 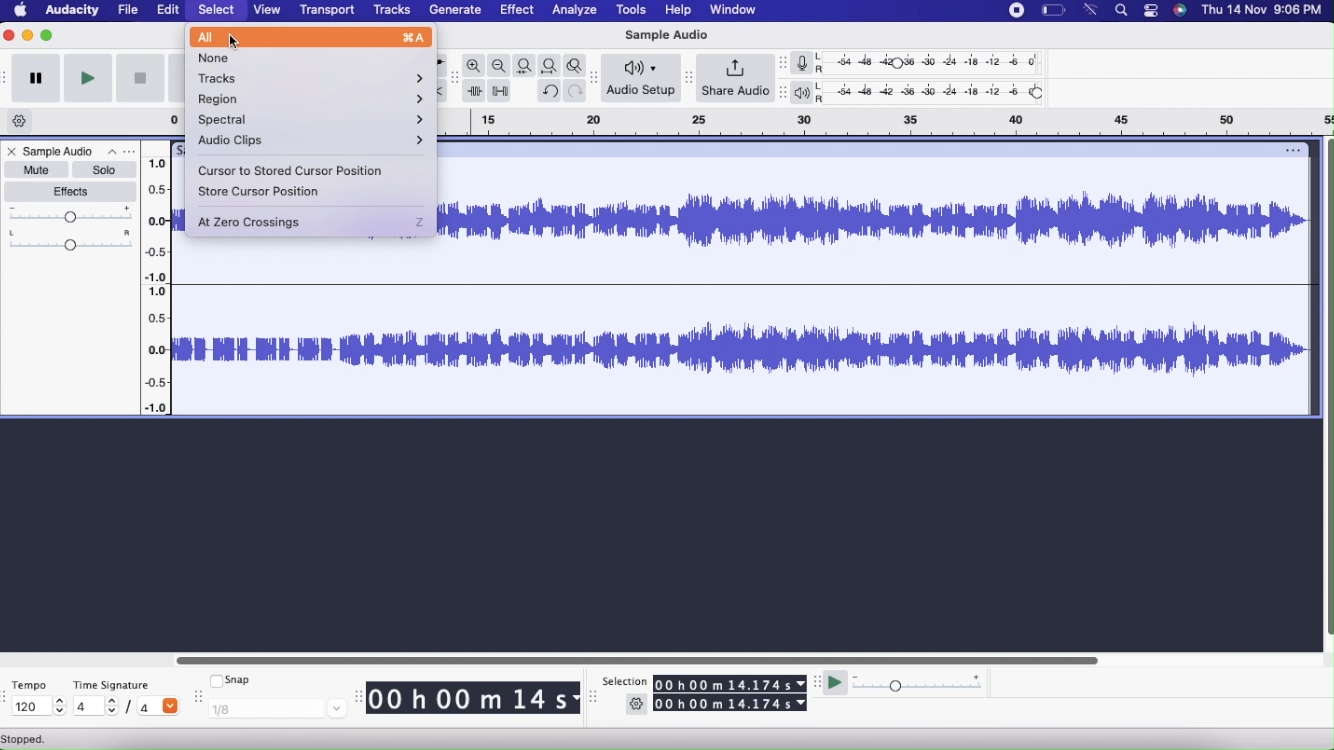 What do you see at coordinates (38, 171) in the screenshot?
I see `Mute` at bounding box center [38, 171].